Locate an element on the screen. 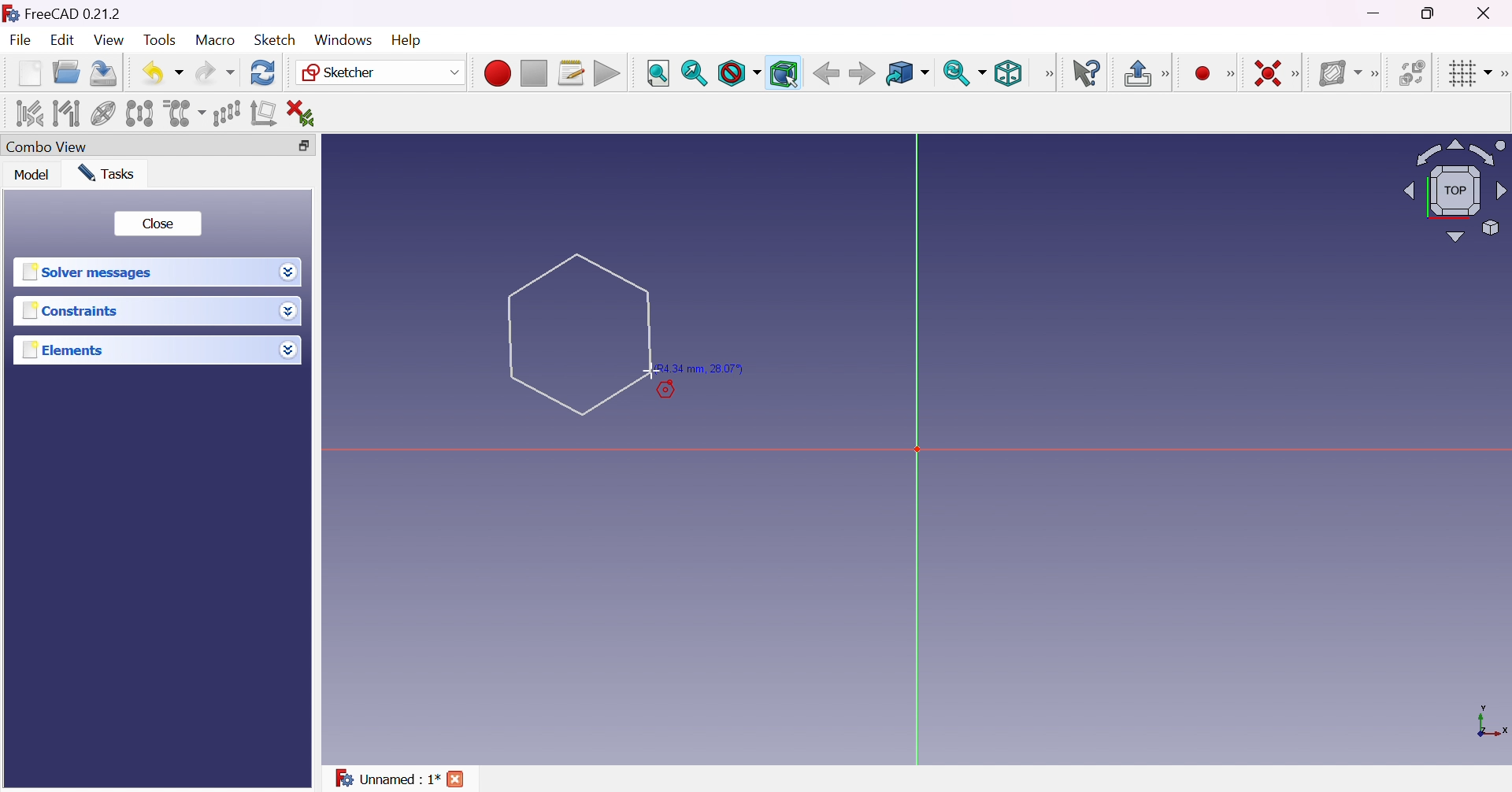  Tools is located at coordinates (162, 41).